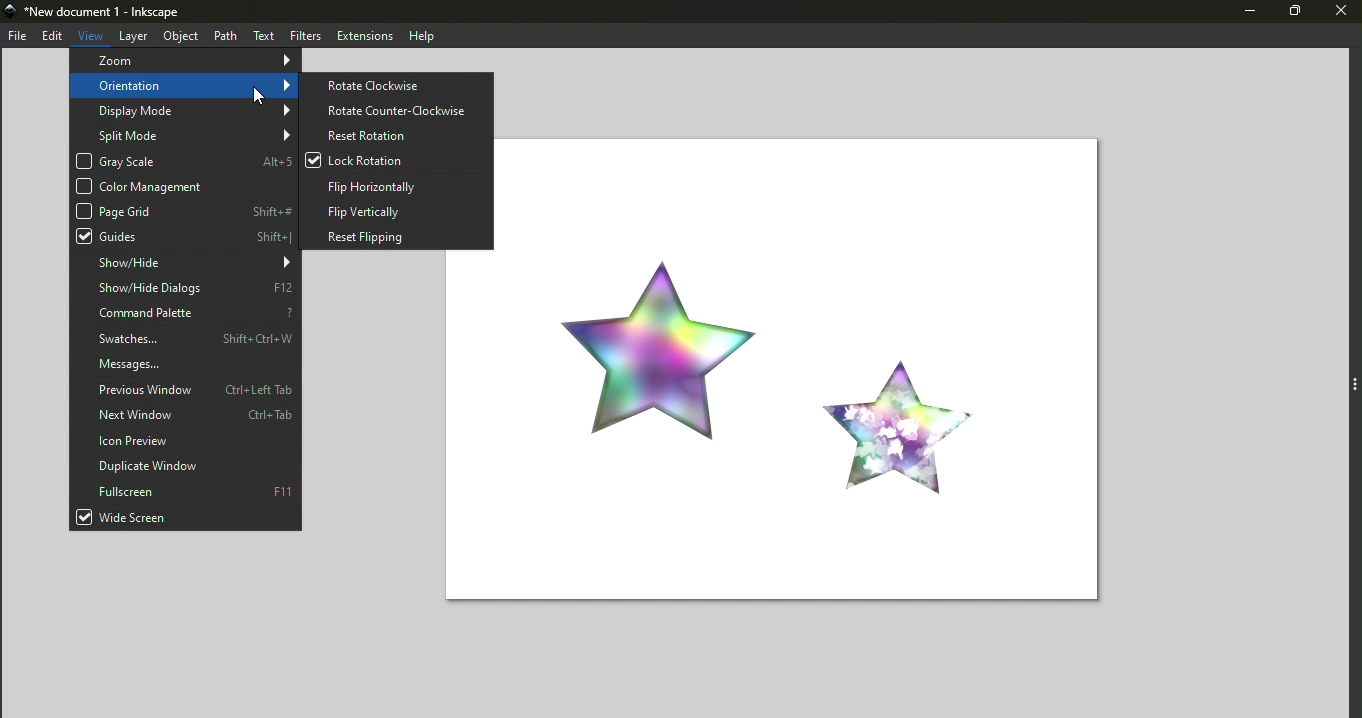  I want to click on Swatches, so click(189, 338).